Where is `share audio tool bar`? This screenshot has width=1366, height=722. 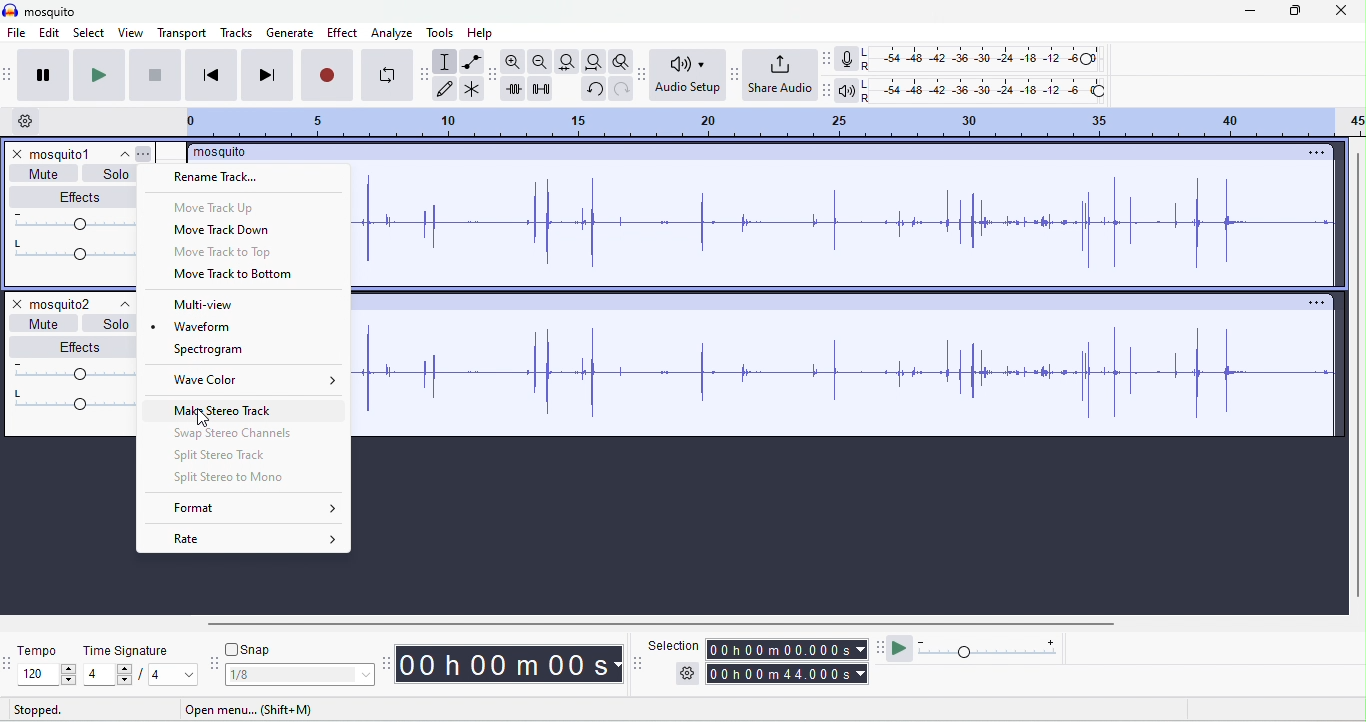
share audio tool bar is located at coordinates (735, 75).